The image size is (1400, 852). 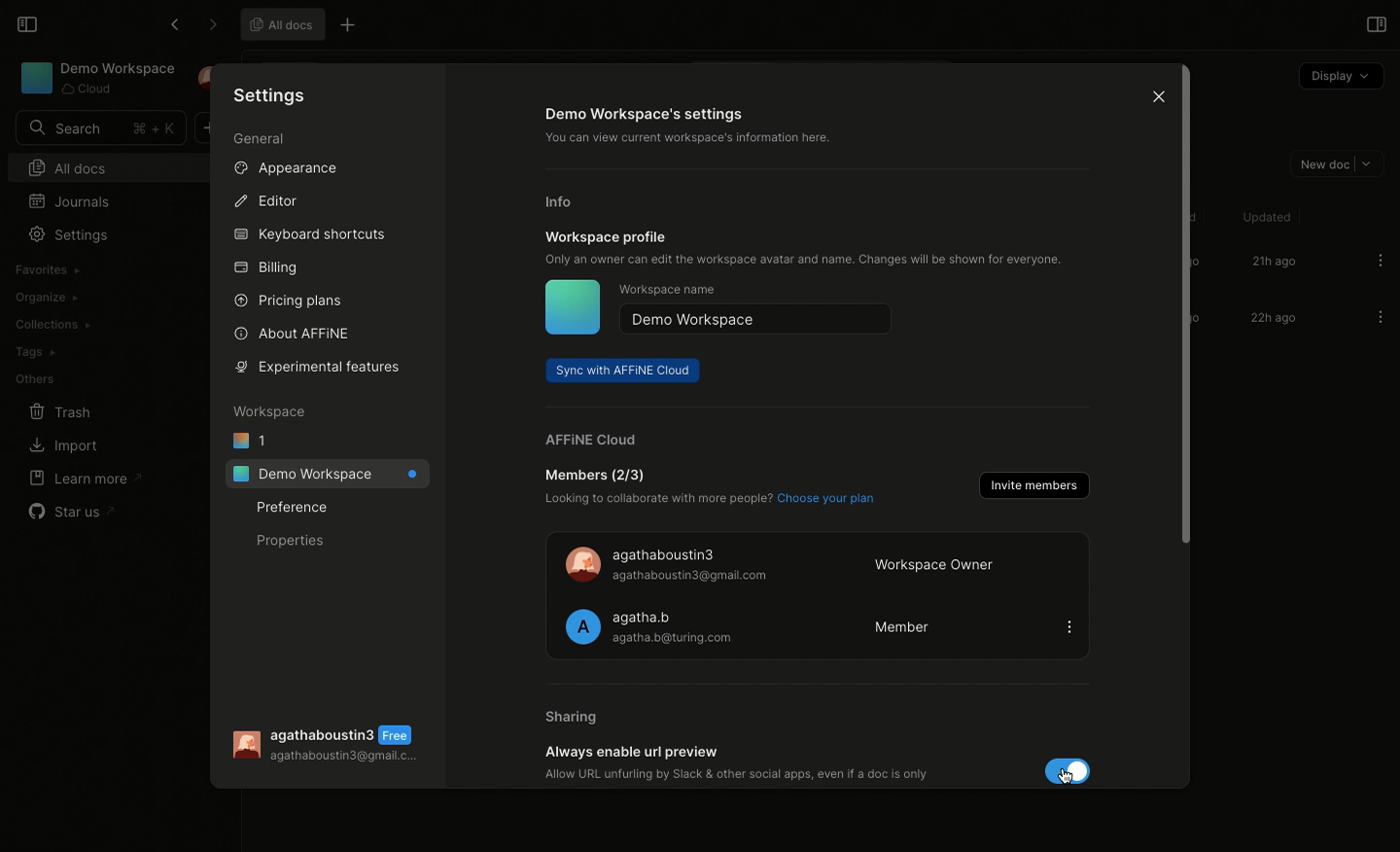 What do you see at coordinates (1380, 318) in the screenshot?
I see `Options` at bounding box center [1380, 318].